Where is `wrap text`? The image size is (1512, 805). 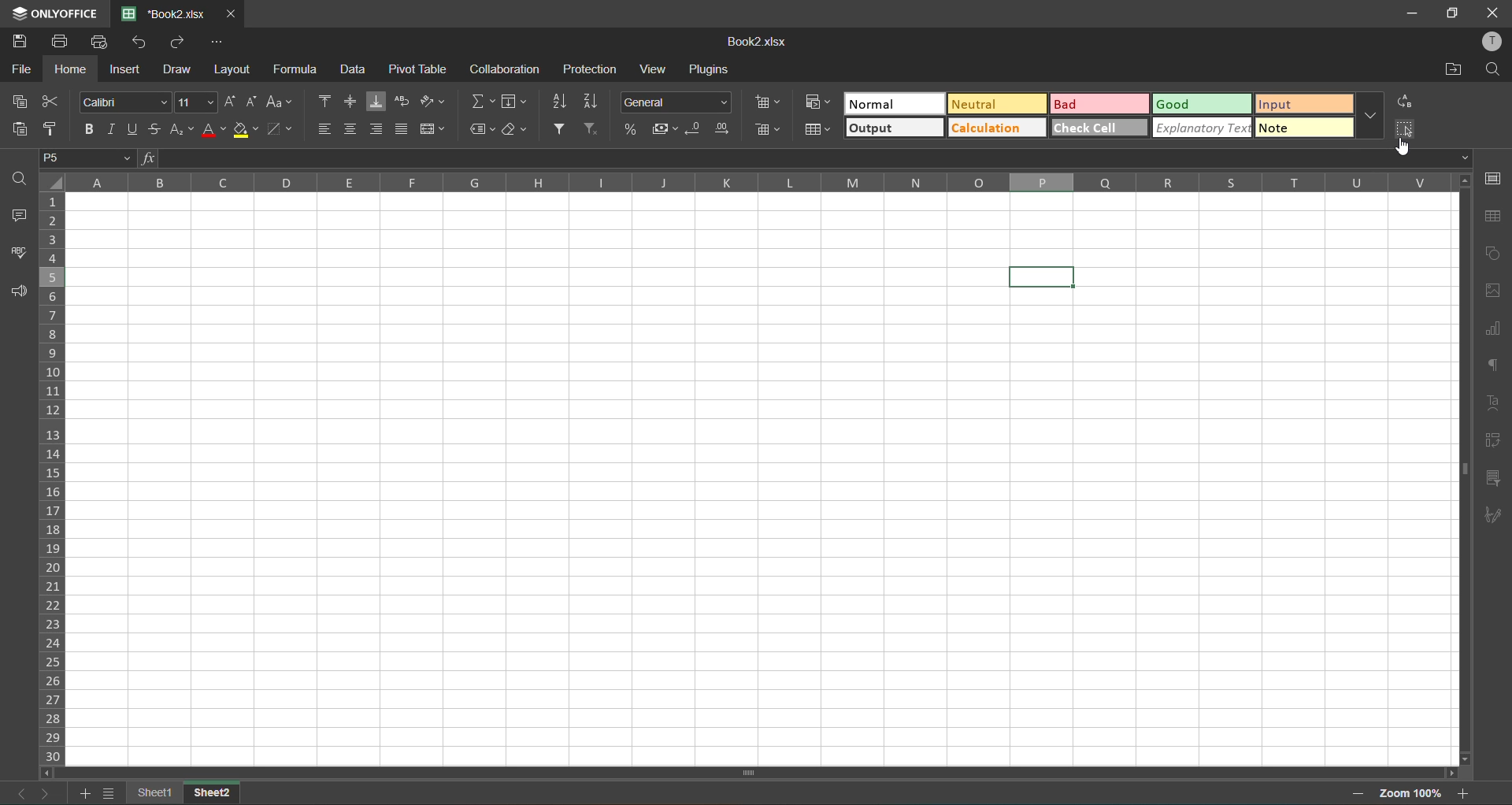
wrap text is located at coordinates (405, 98).